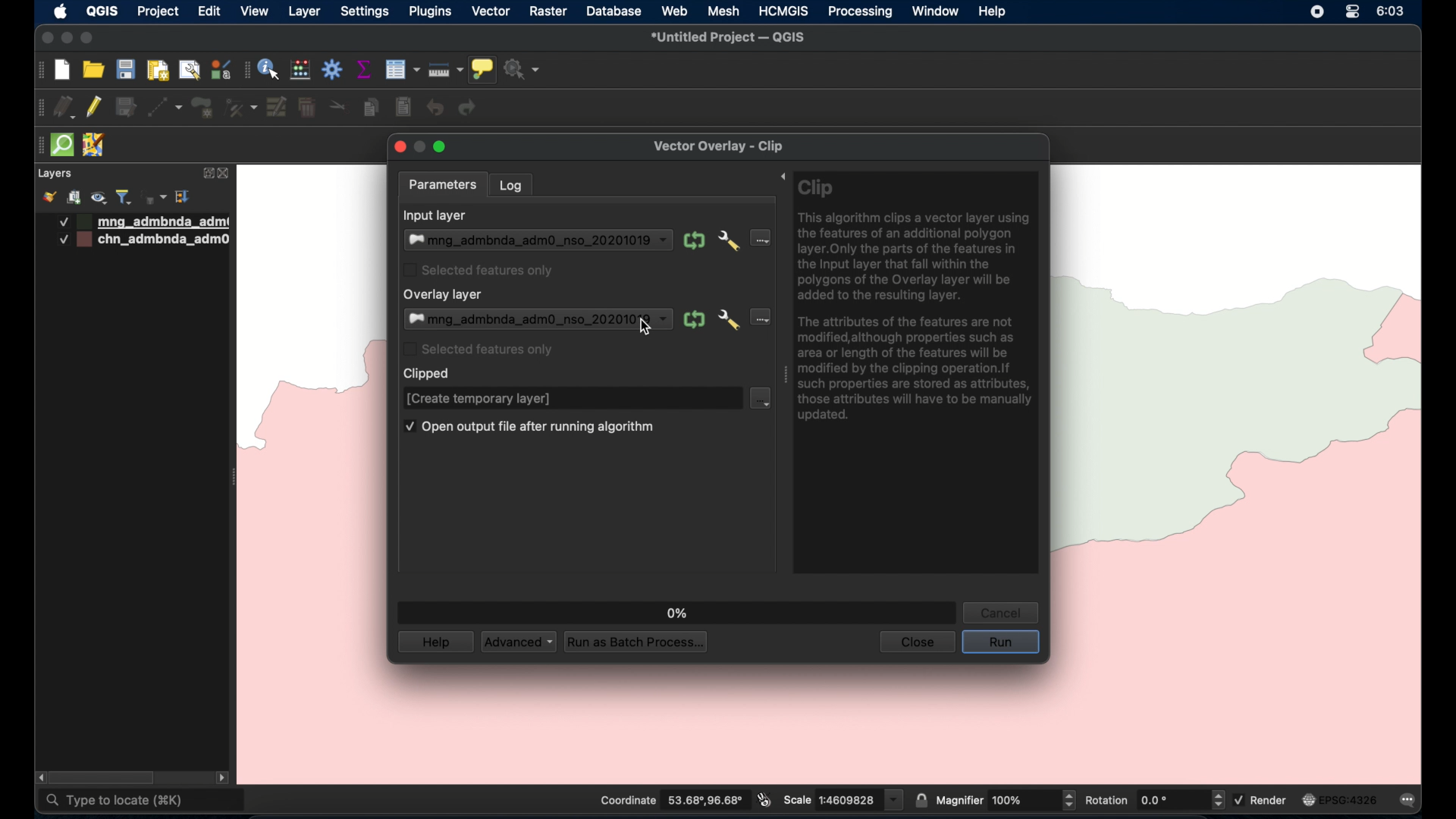  What do you see at coordinates (304, 13) in the screenshot?
I see `layer` at bounding box center [304, 13].